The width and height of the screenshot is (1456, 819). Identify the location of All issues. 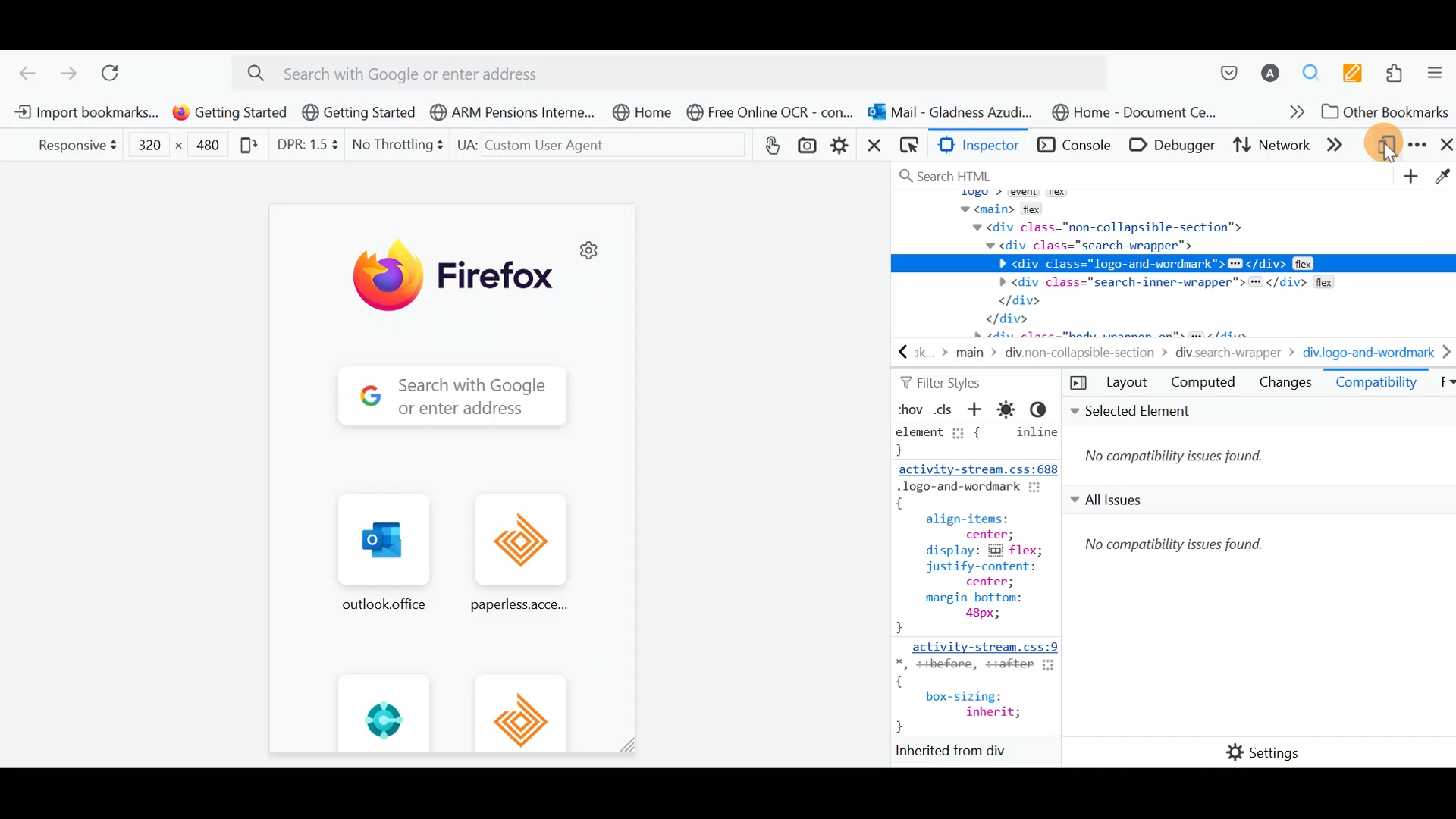
(1258, 607).